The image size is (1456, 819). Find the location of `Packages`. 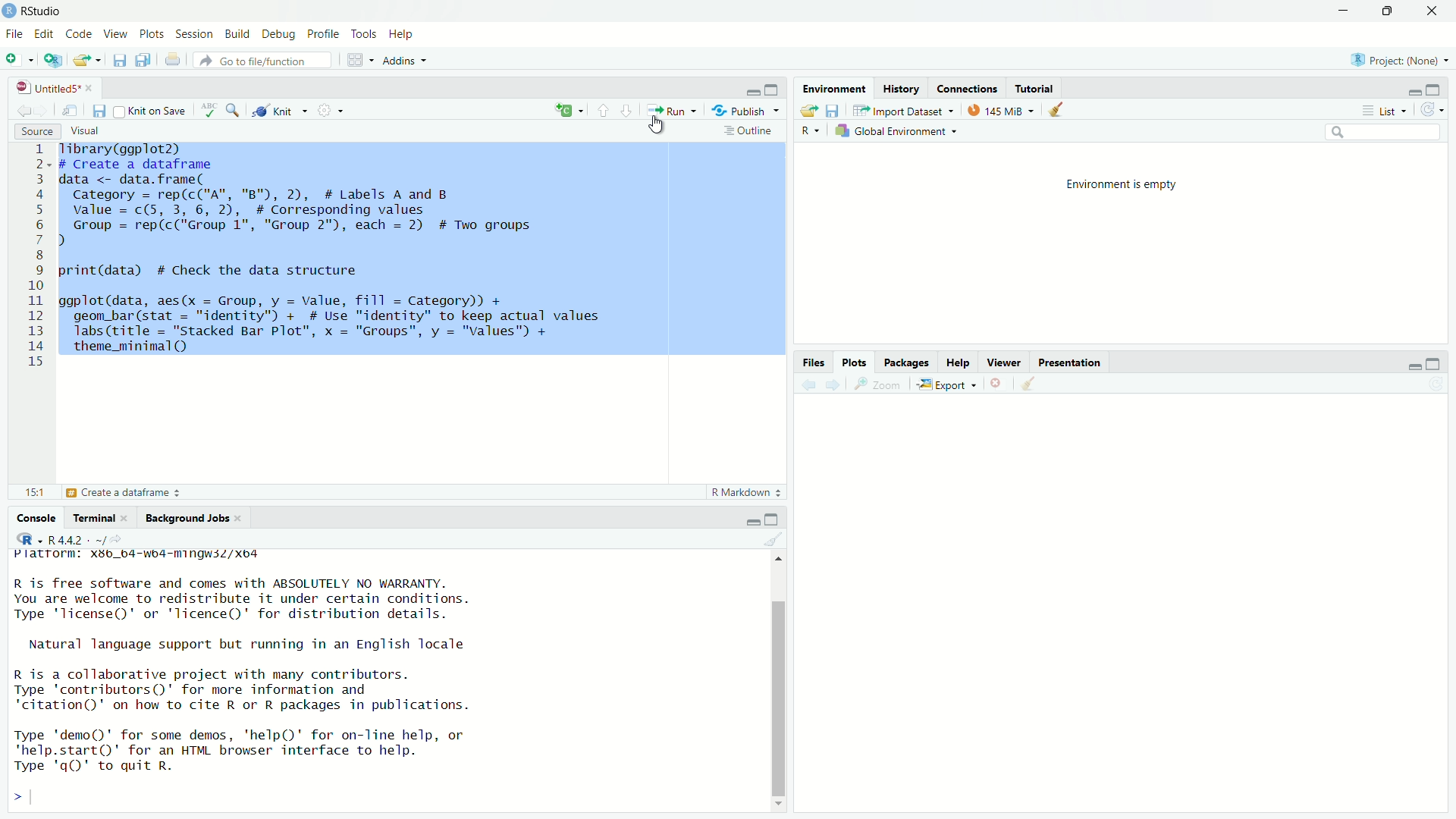

Packages is located at coordinates (904, 360).